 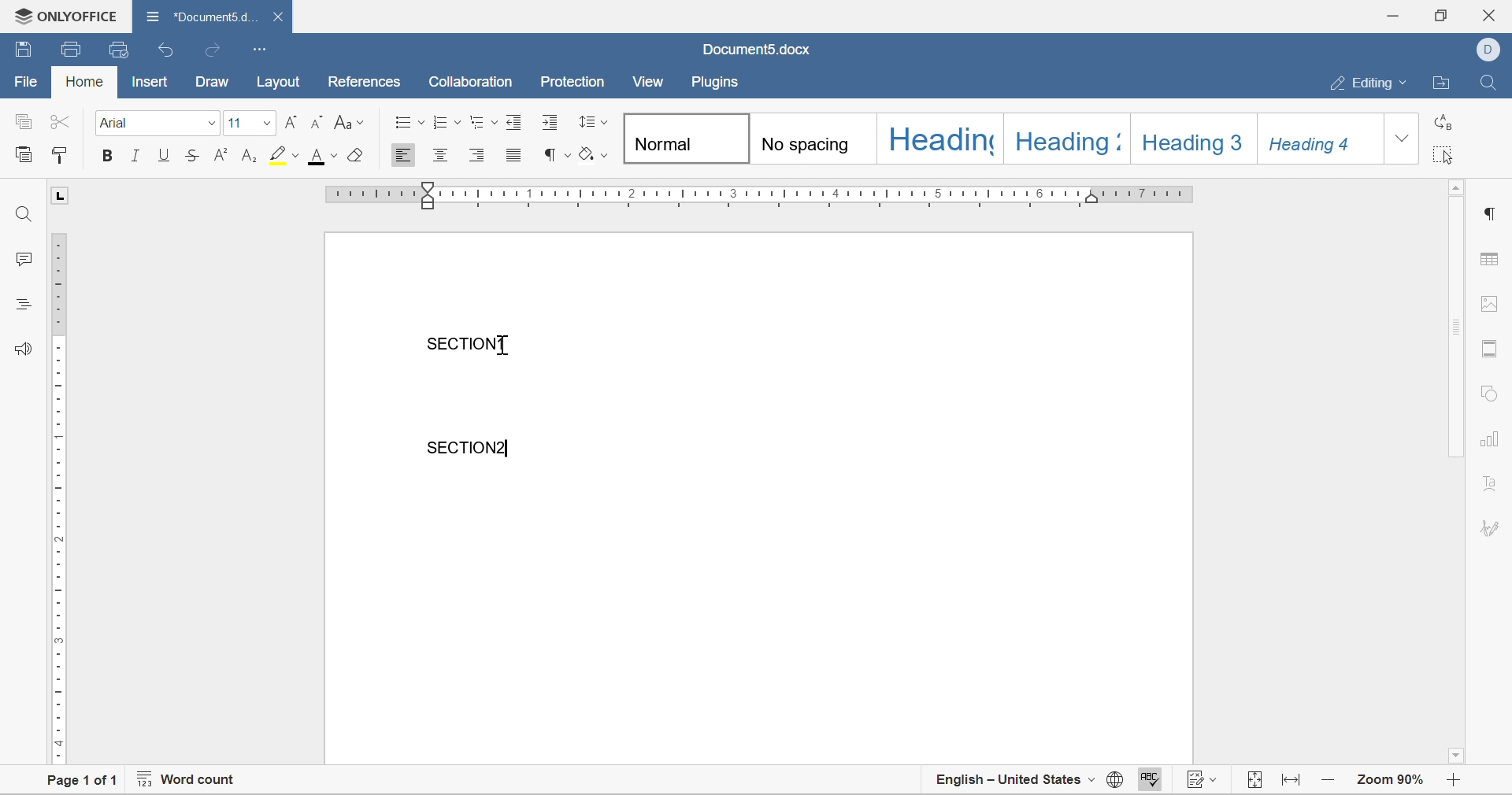 I want to click on set document language, so click(x=1114, y=783).